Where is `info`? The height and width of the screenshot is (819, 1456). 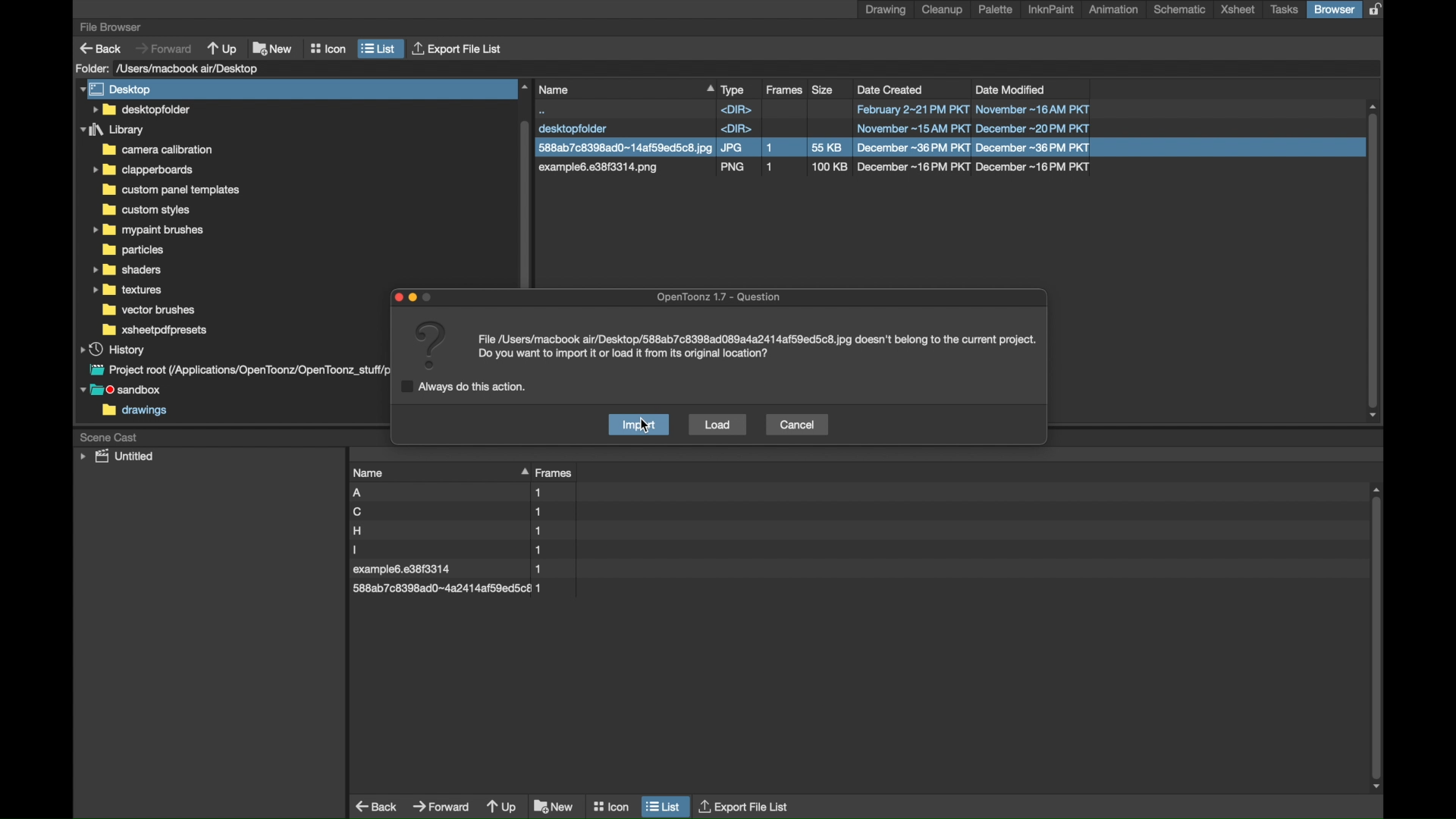
info is located at coordinates (757, 347).